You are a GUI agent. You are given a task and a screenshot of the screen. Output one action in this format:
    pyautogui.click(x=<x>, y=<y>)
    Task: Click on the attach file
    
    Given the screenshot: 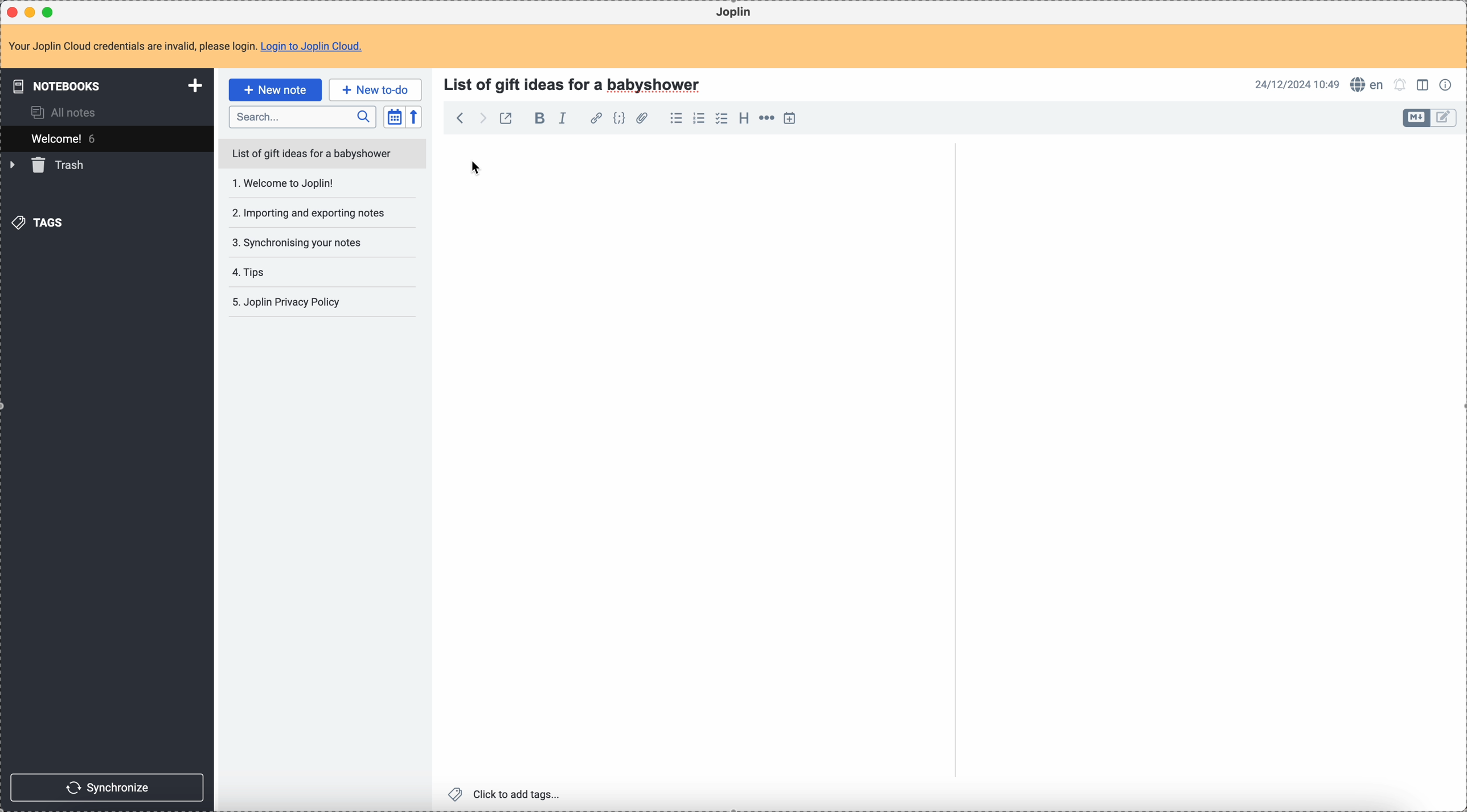 What is the action you would take?
    pyautogui.click(x=644, y=119)
    